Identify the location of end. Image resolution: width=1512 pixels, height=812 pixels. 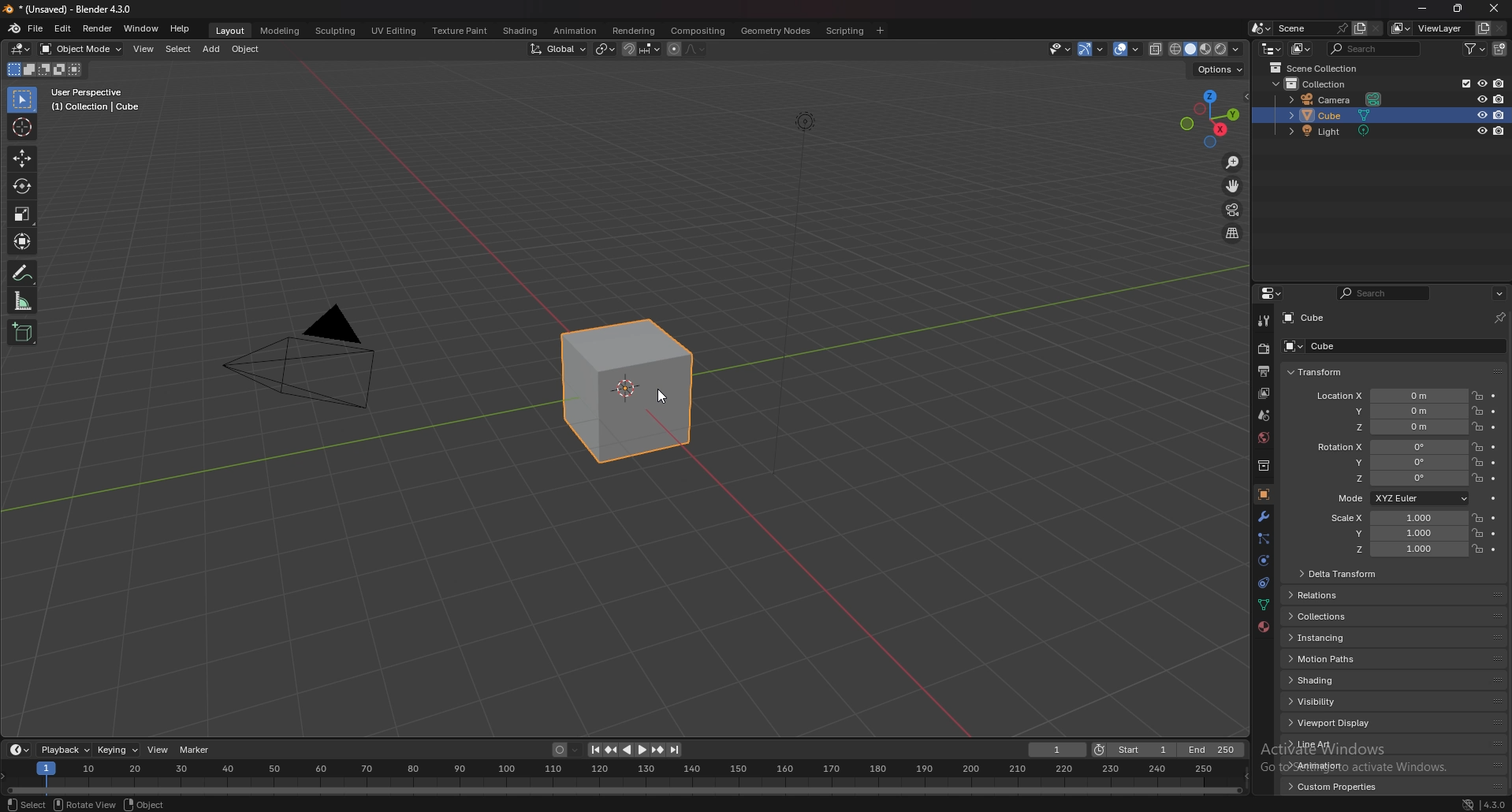
(1210, 750).